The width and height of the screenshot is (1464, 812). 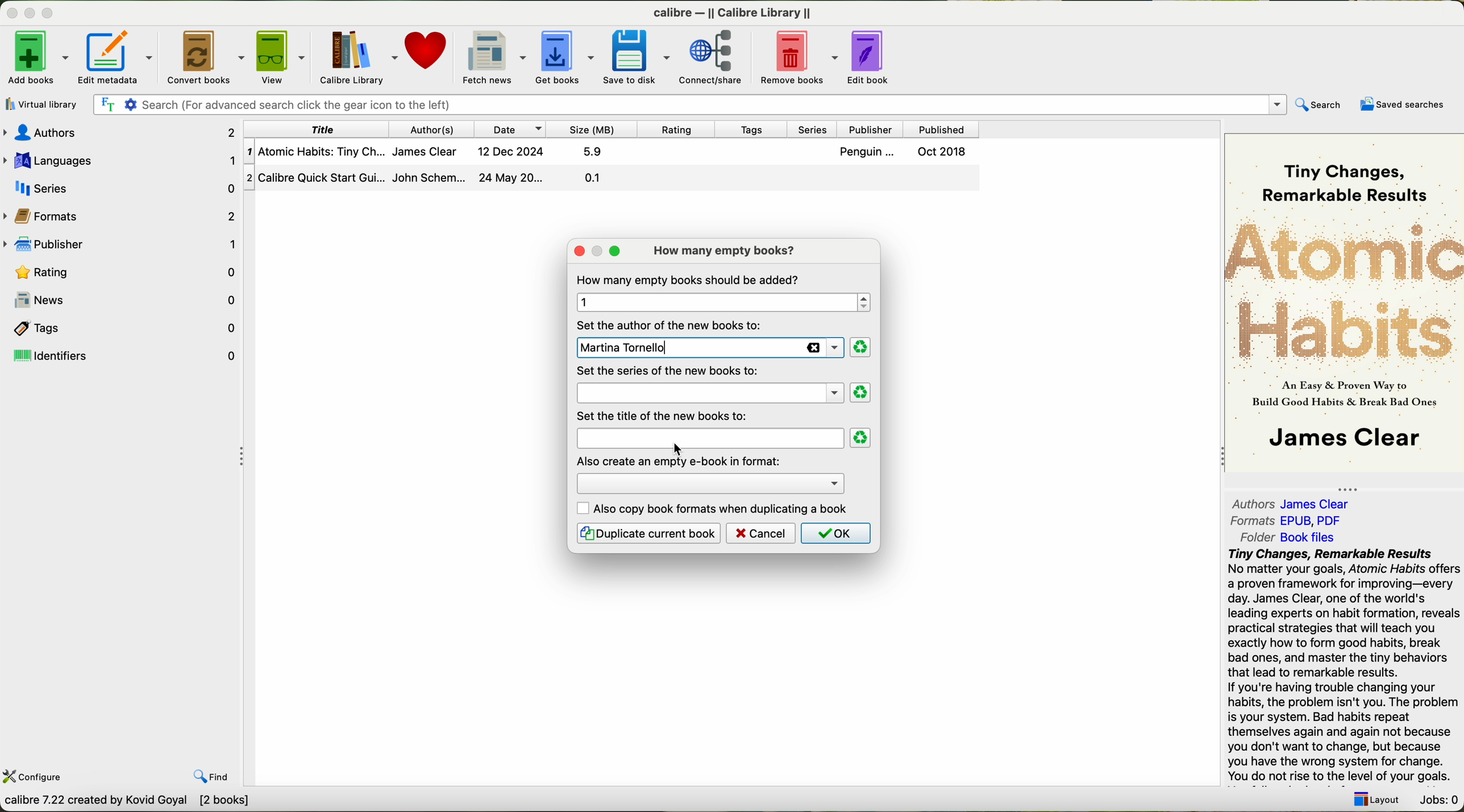 I want to click on also copy book formats when duplicating a book, so click(x=714, y=509).